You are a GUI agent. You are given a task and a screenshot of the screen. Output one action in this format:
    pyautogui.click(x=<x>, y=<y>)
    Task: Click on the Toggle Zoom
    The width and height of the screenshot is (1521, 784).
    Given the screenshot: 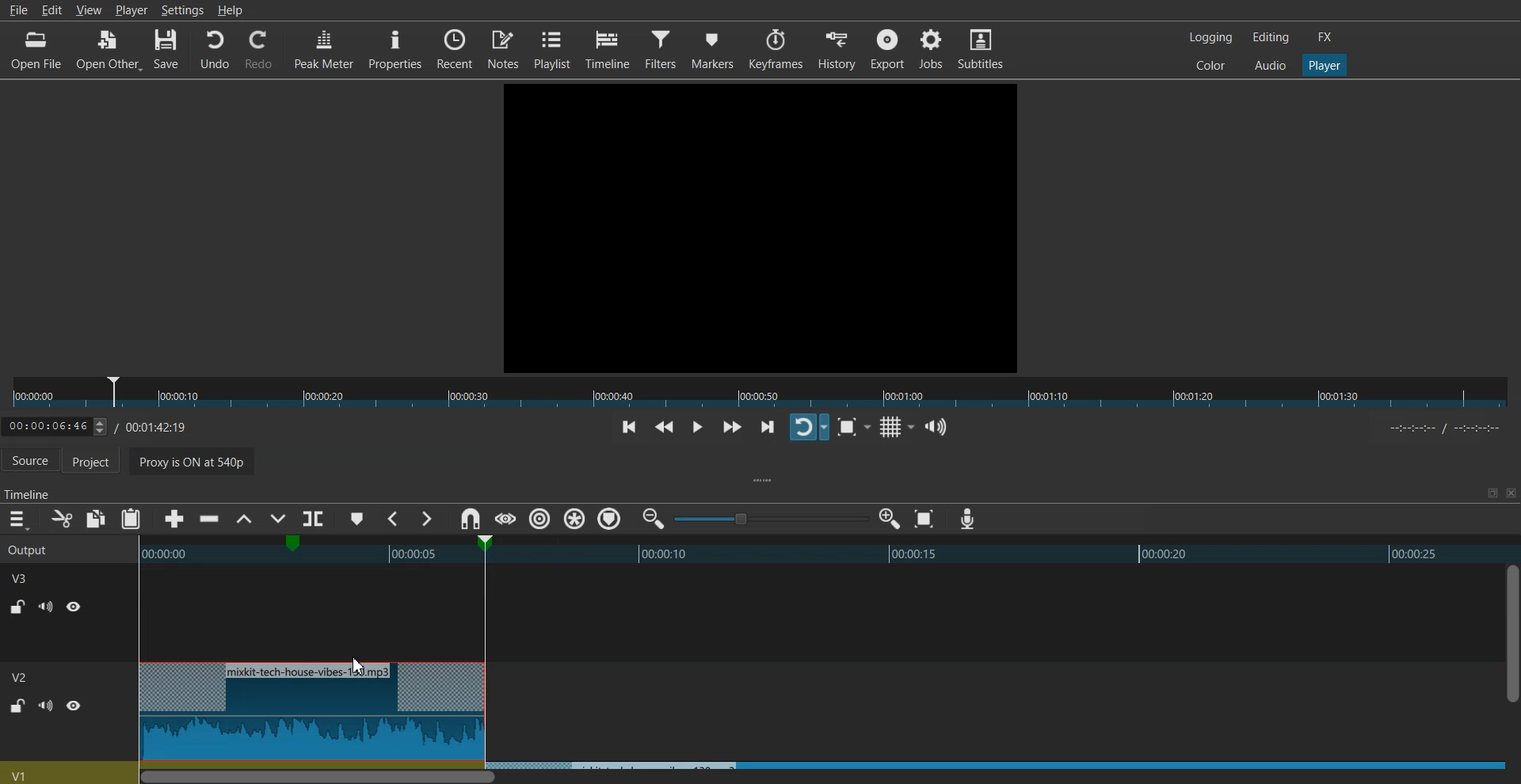 What is the action you would take?
    pyautogui.click(x=849, y=428)
    